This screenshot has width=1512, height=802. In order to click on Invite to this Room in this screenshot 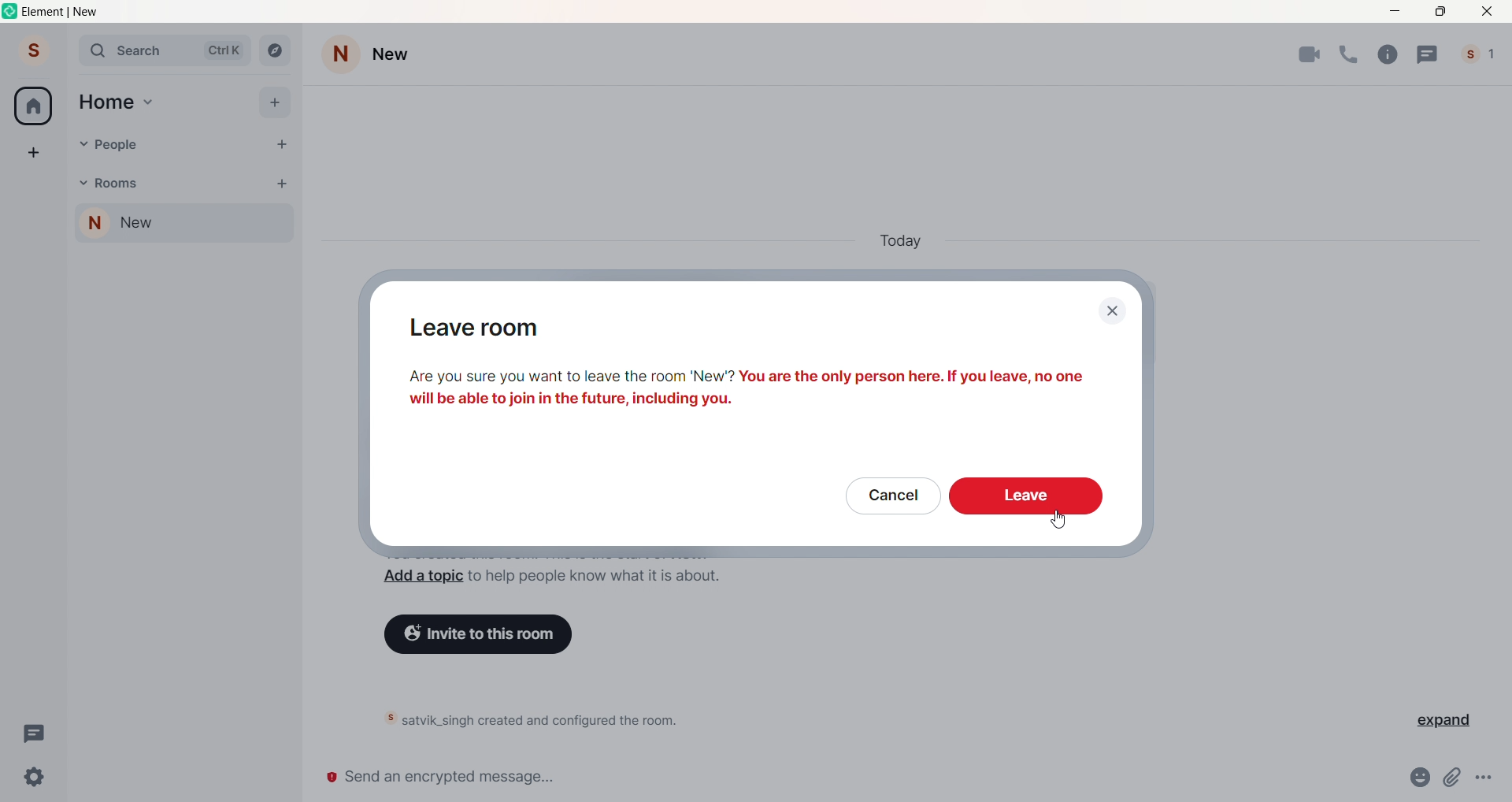, I will do `click(486, 633)`.